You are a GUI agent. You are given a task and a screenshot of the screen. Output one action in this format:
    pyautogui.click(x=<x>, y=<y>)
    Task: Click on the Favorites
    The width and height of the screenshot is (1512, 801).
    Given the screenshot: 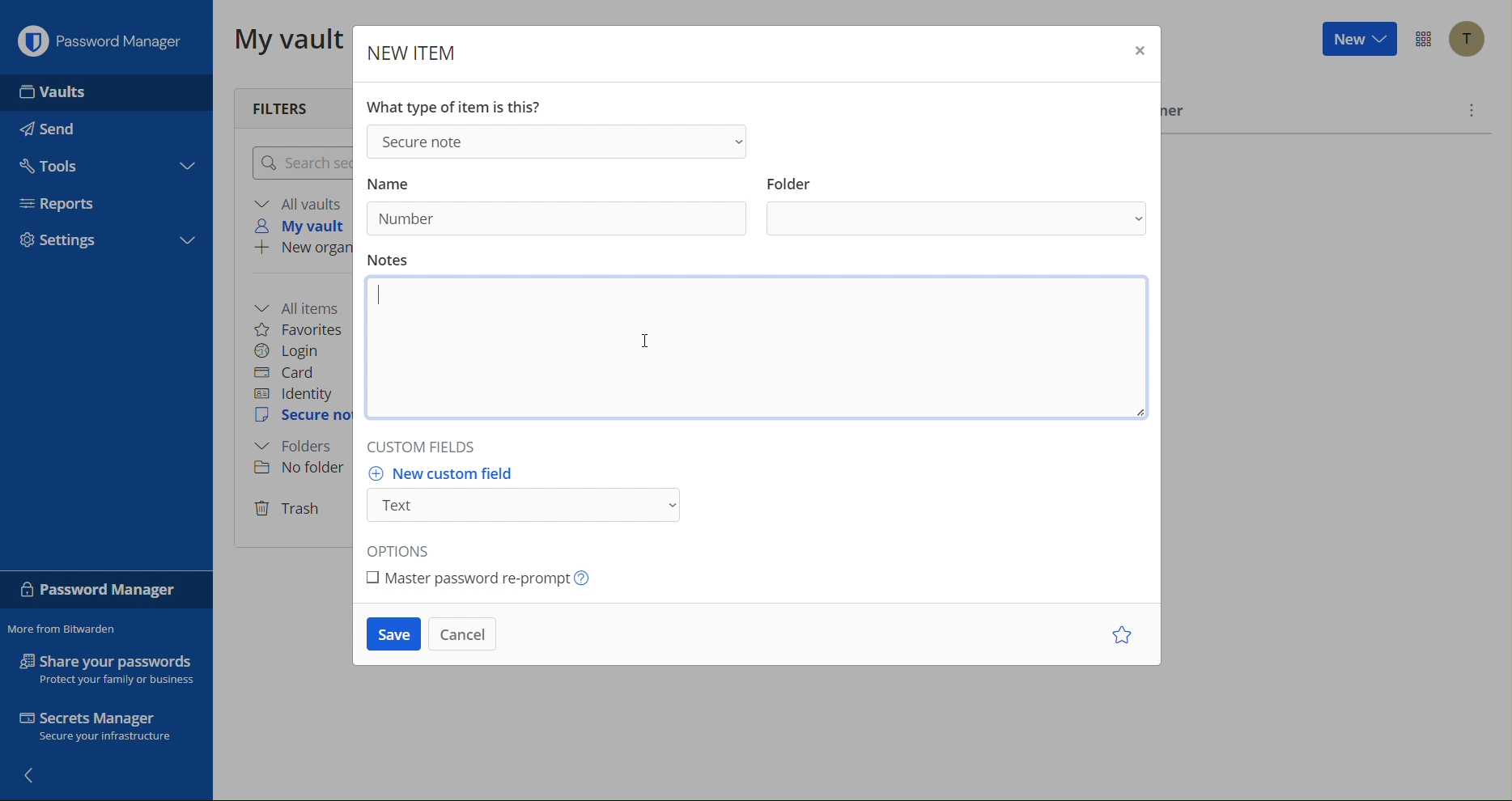 What is the action you would take?
    pyautogui.click(x=304, y=328)
    